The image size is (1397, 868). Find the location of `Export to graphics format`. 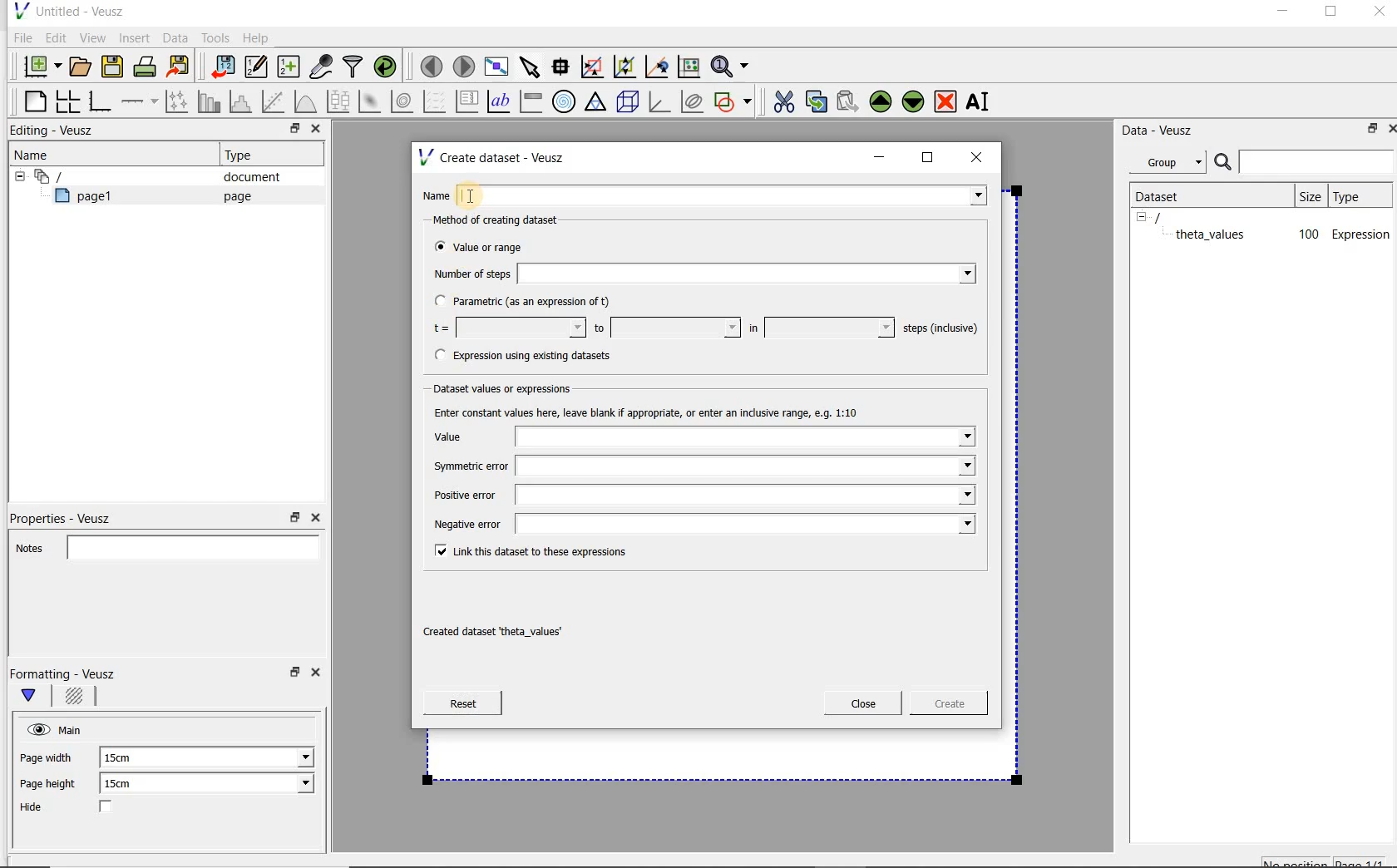

Export to graphics format is located at coordinates (179, 68).